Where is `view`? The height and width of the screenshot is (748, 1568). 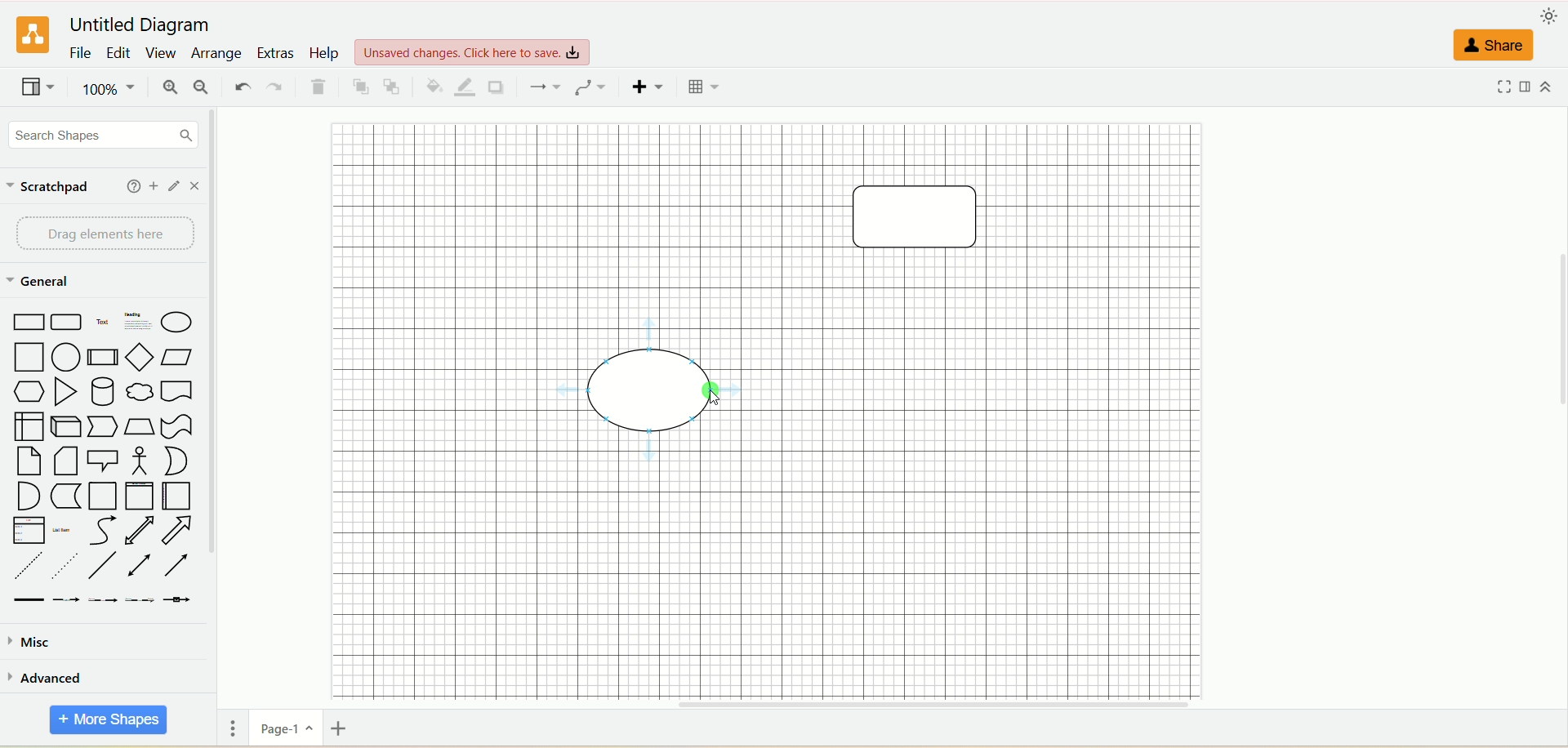
view is located at coordinates (474, 51).